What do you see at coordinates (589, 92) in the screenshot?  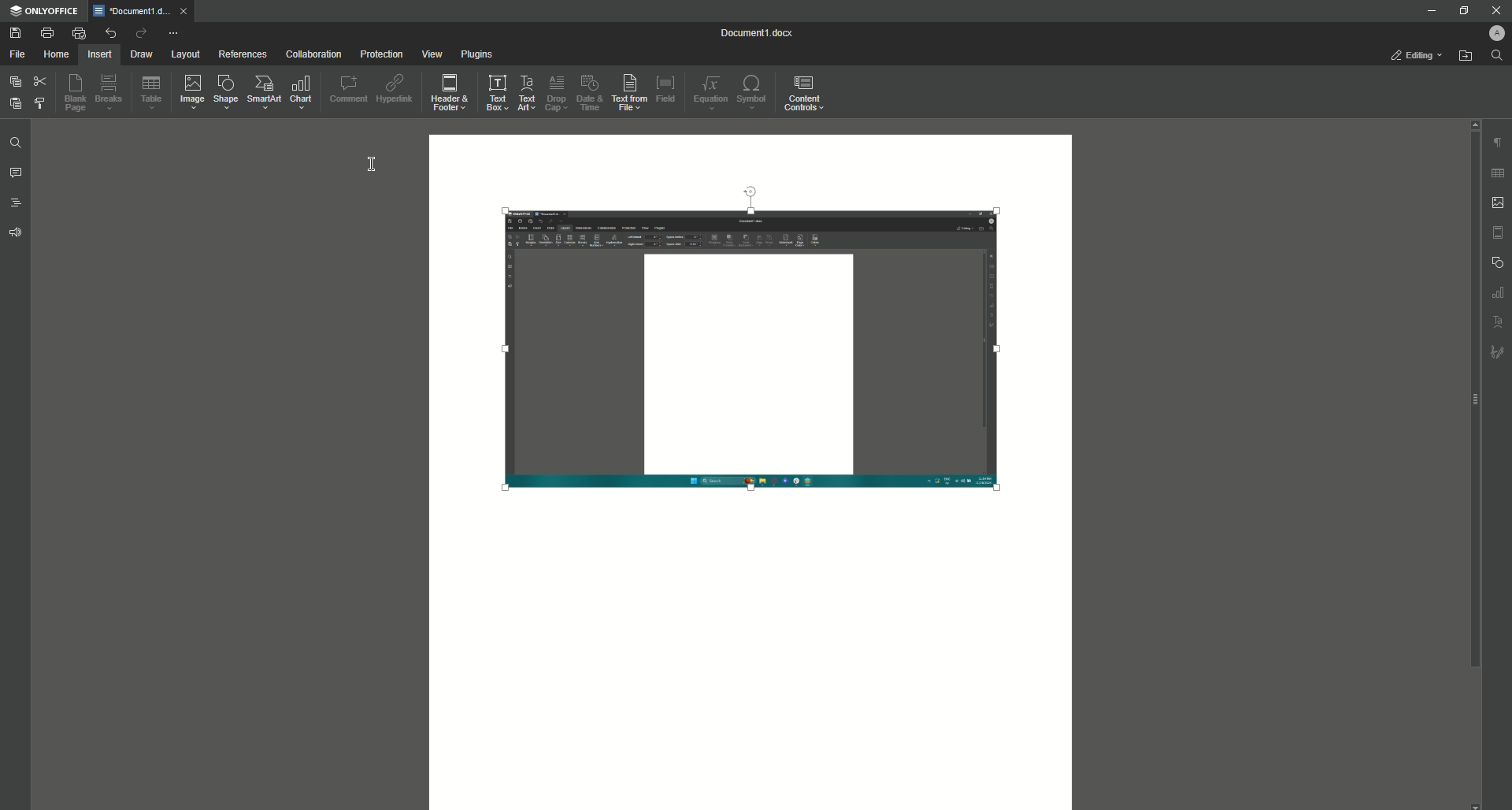 I see `Date and Time` at bounding box center [589, 92].